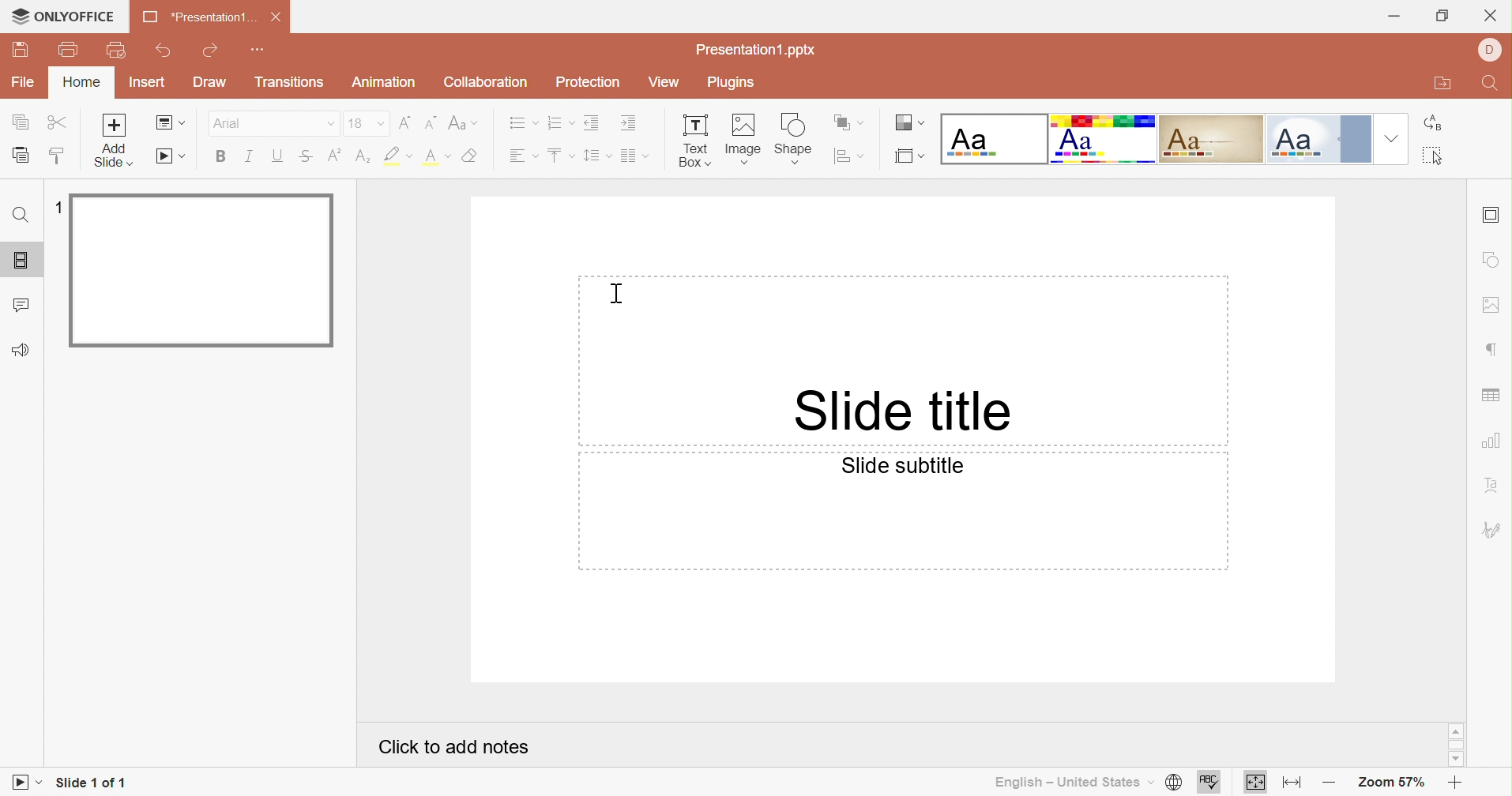 This screenshot has height=796, width=1512. What do you see at coordinates (1171, 783) in the screenshot?
I see `set document language` at bounding box center [1171, 783].